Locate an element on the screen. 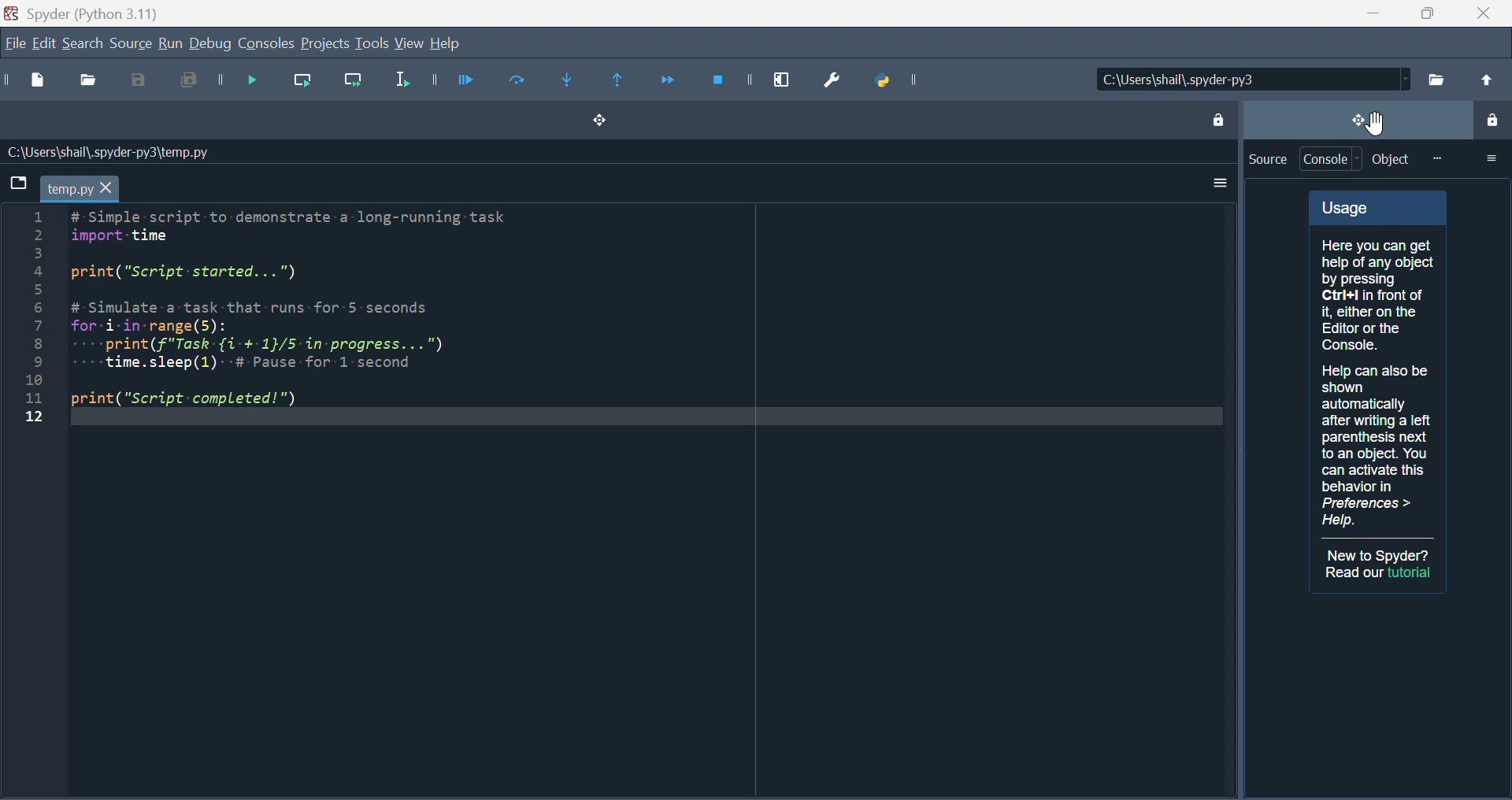  run is located at coordinates (169, 44).